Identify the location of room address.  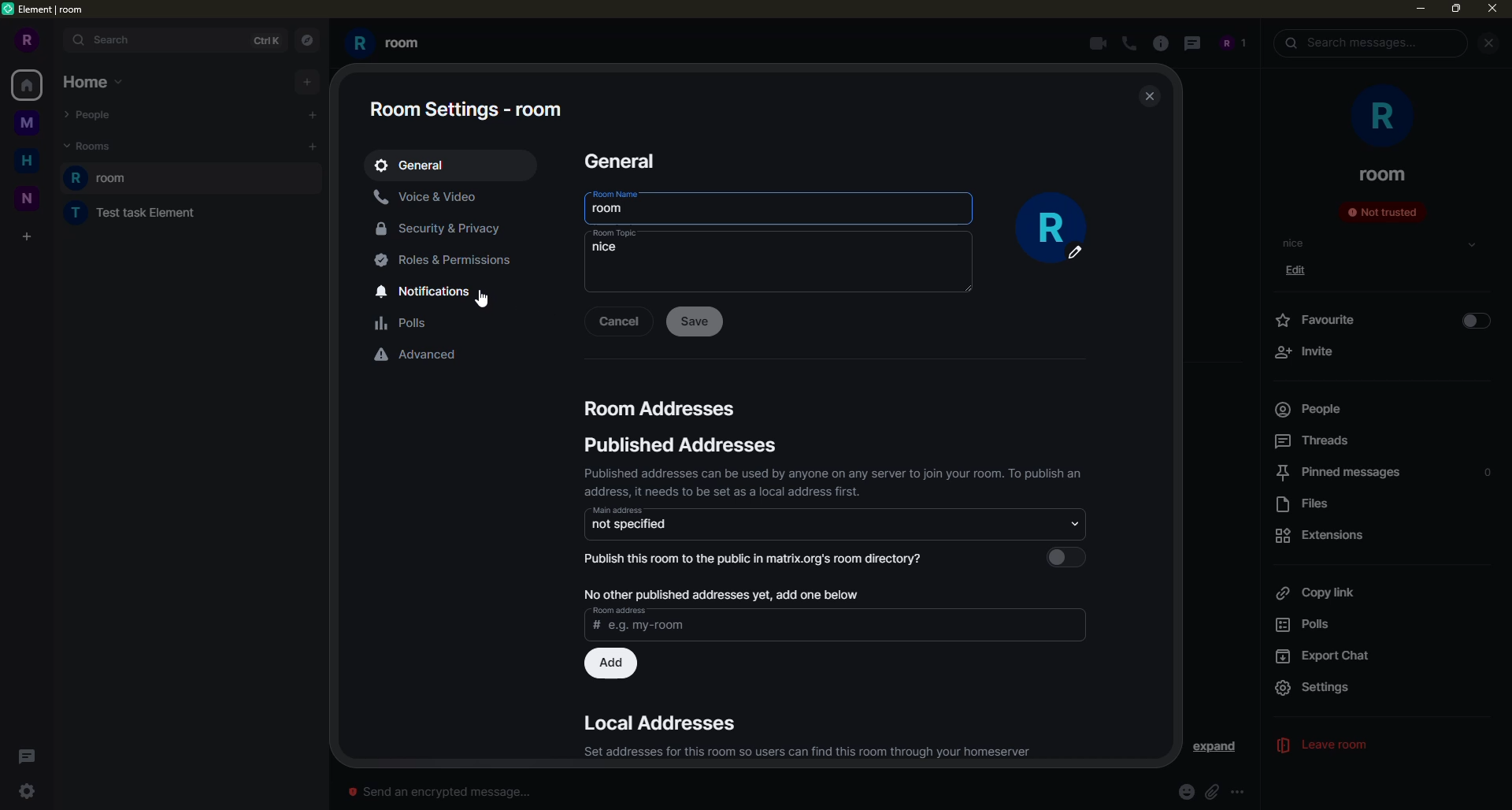
(621, 609).